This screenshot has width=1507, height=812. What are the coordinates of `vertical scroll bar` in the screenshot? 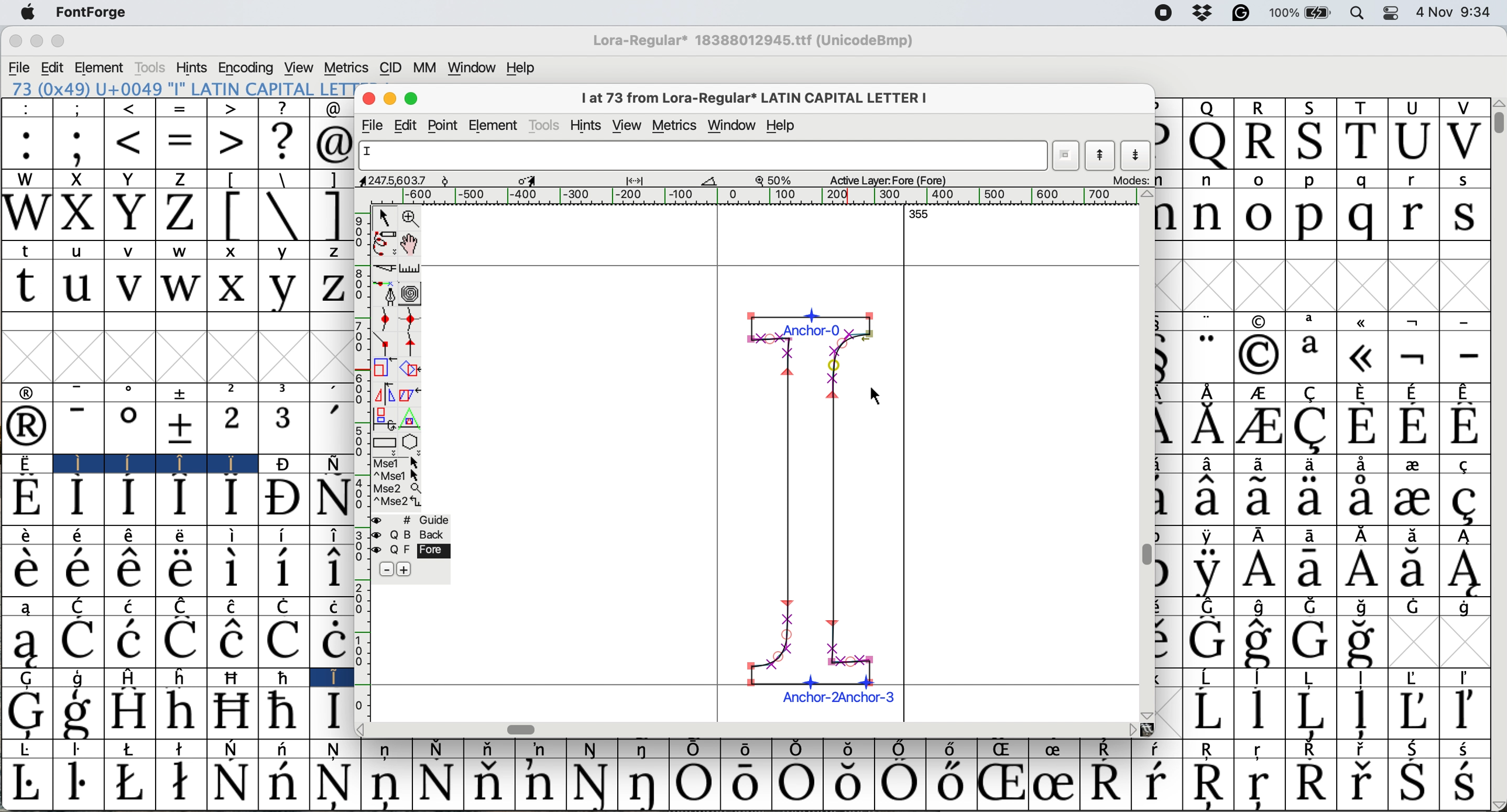 It's located at (1147, 553).